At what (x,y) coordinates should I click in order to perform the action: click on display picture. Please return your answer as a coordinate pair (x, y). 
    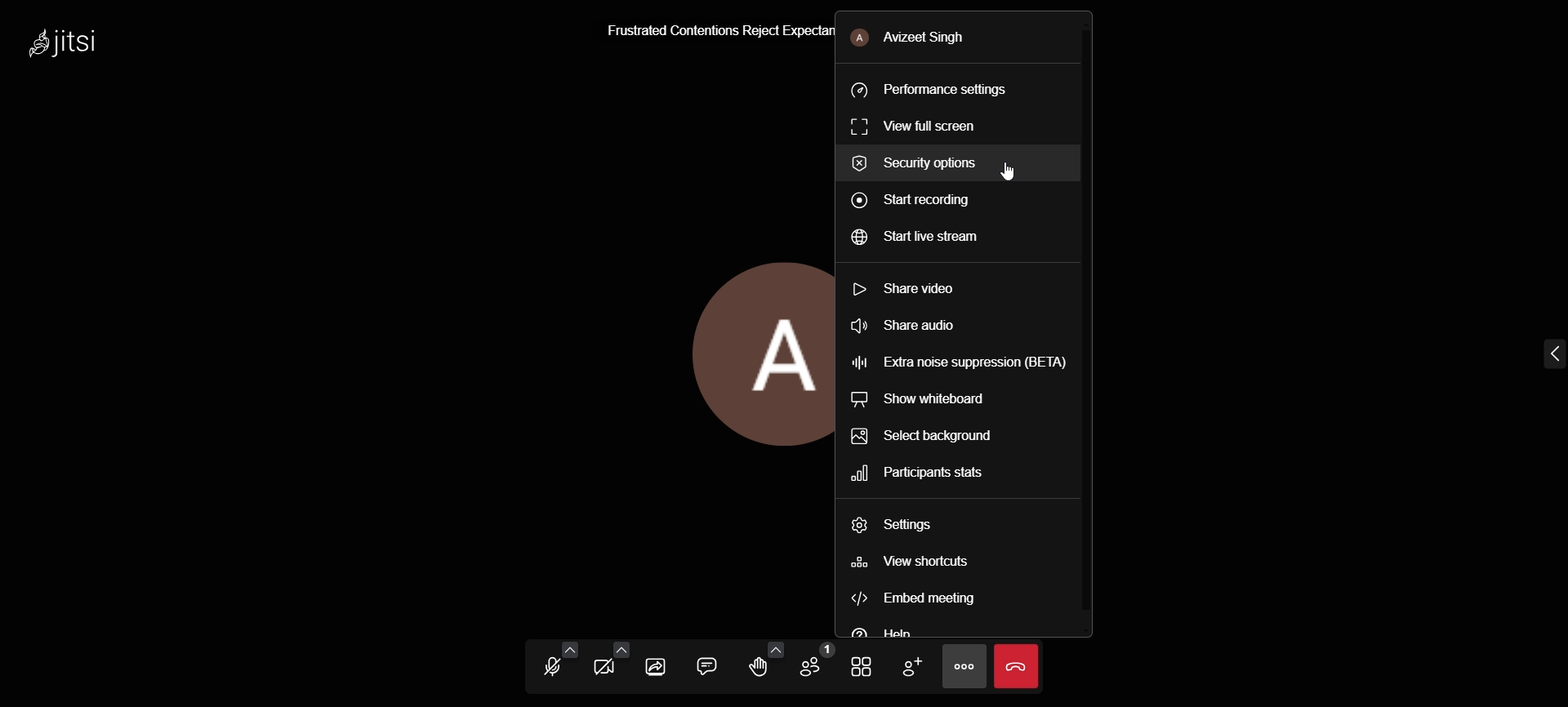
    Looking at the image, I should click on (744, 353).